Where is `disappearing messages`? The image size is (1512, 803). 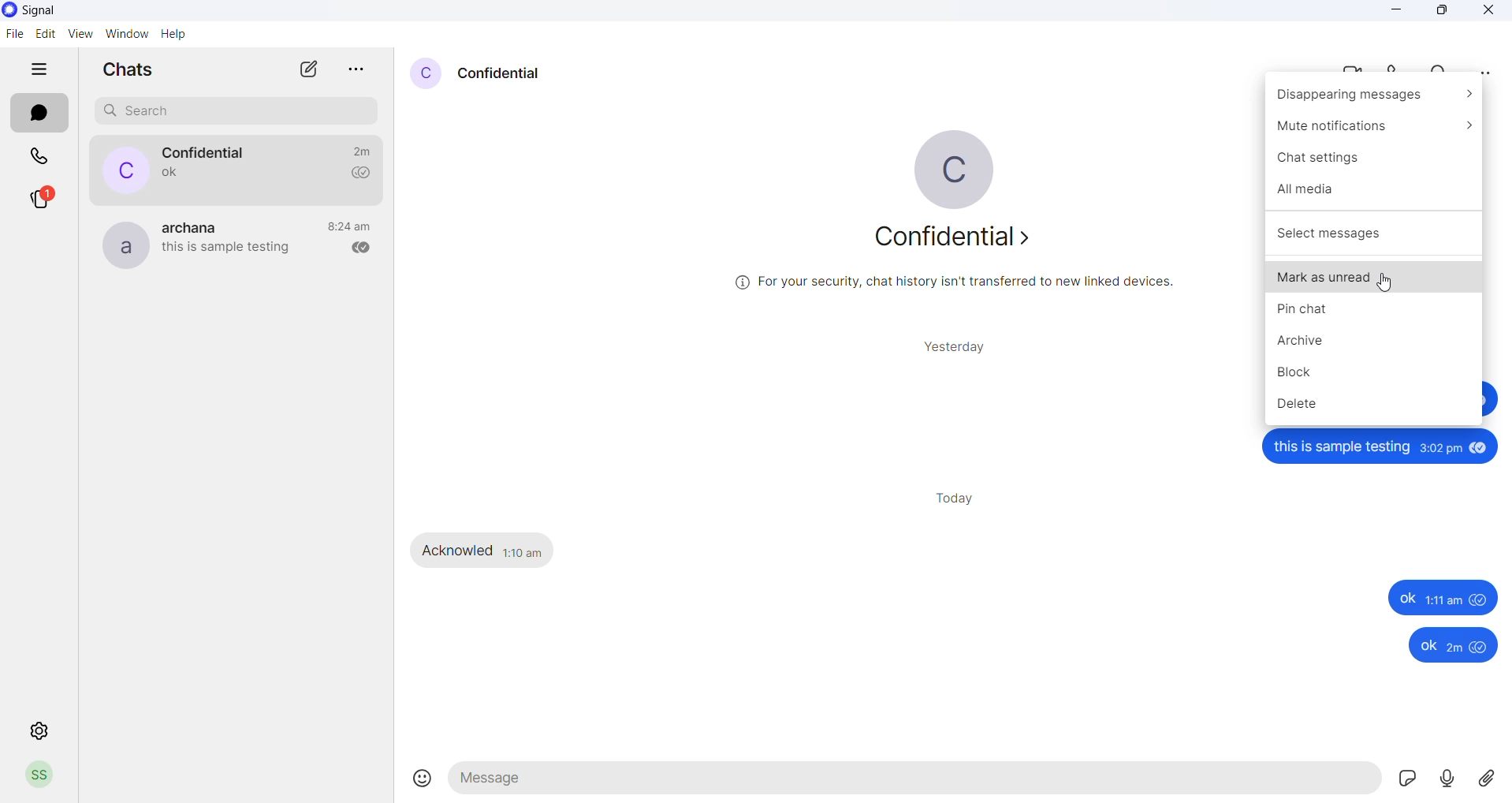 disappearing messages is located at coordinates (1376, 98).